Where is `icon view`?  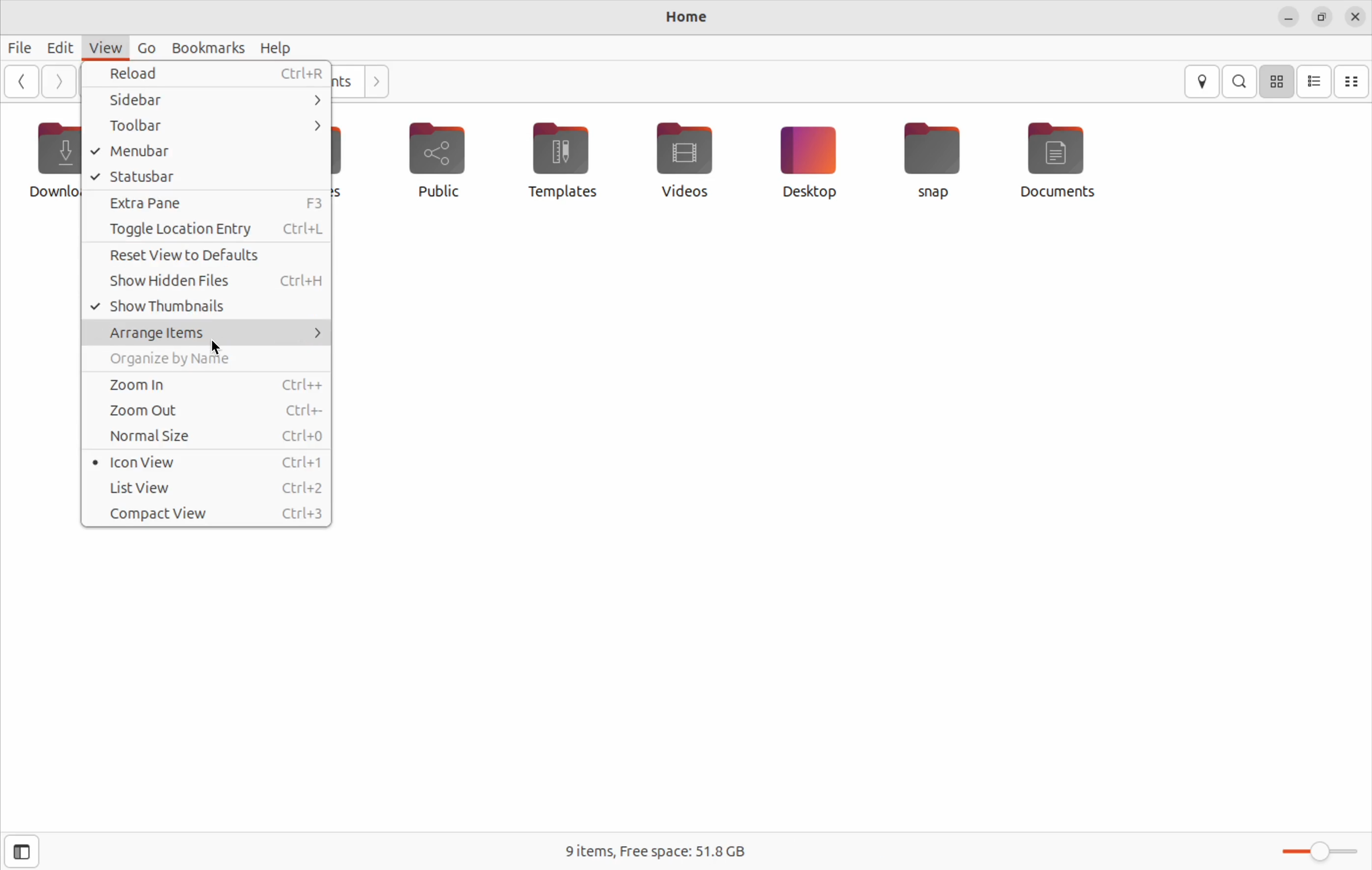
icon view is located at coordinates (1278, 81).